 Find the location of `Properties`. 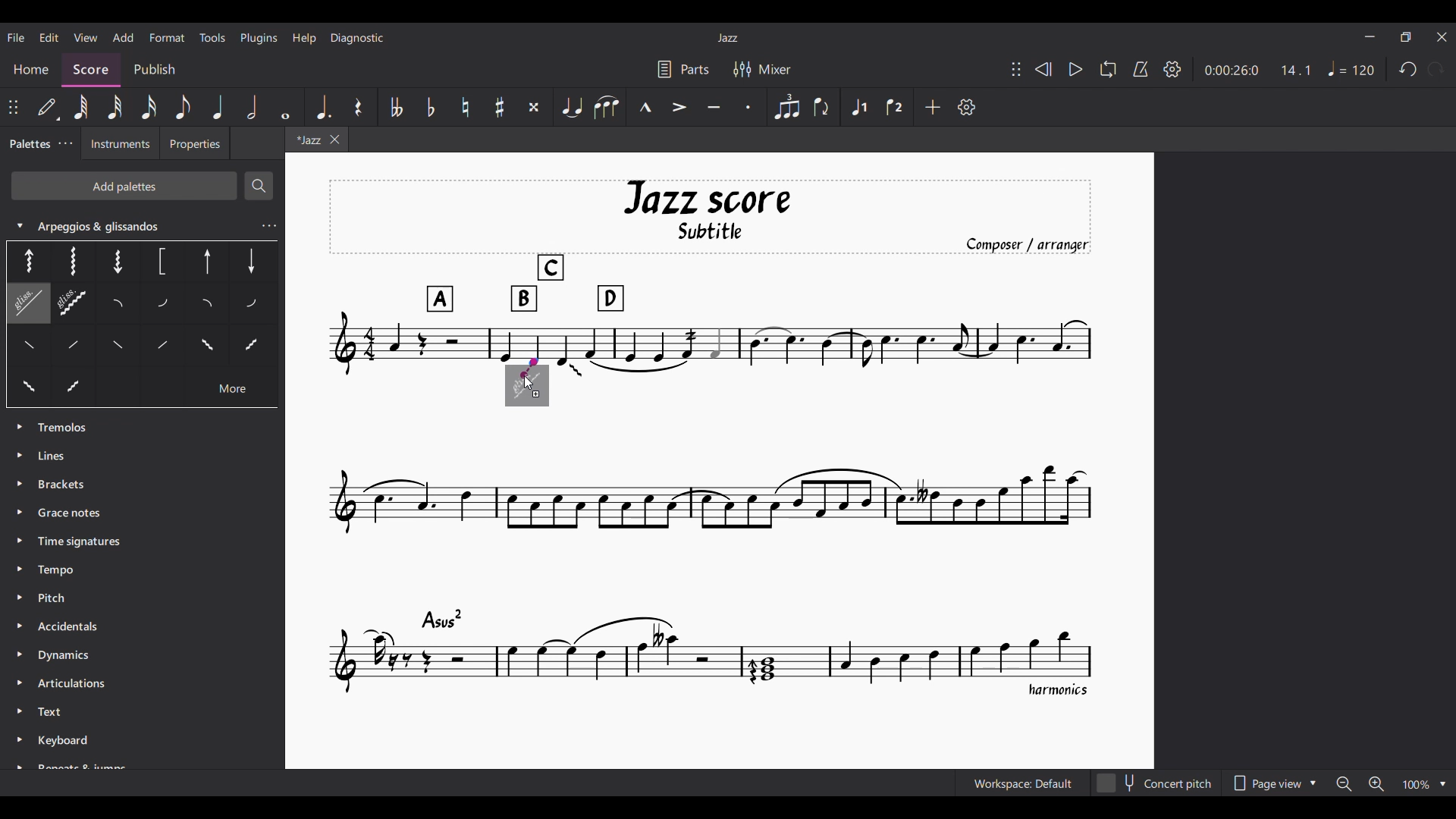

Properties is located at coordinates (194, 146).